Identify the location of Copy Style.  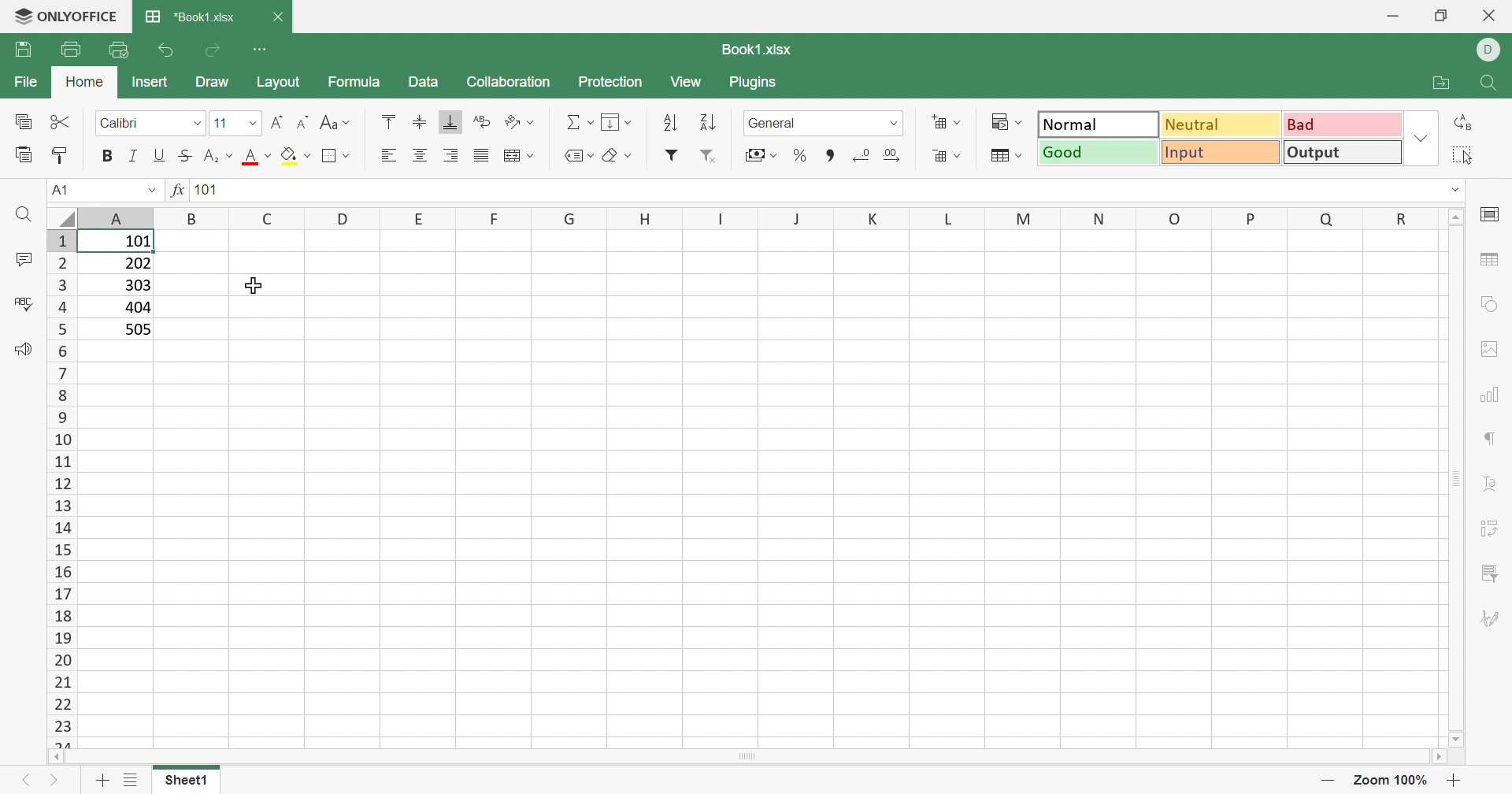
(63, 154).